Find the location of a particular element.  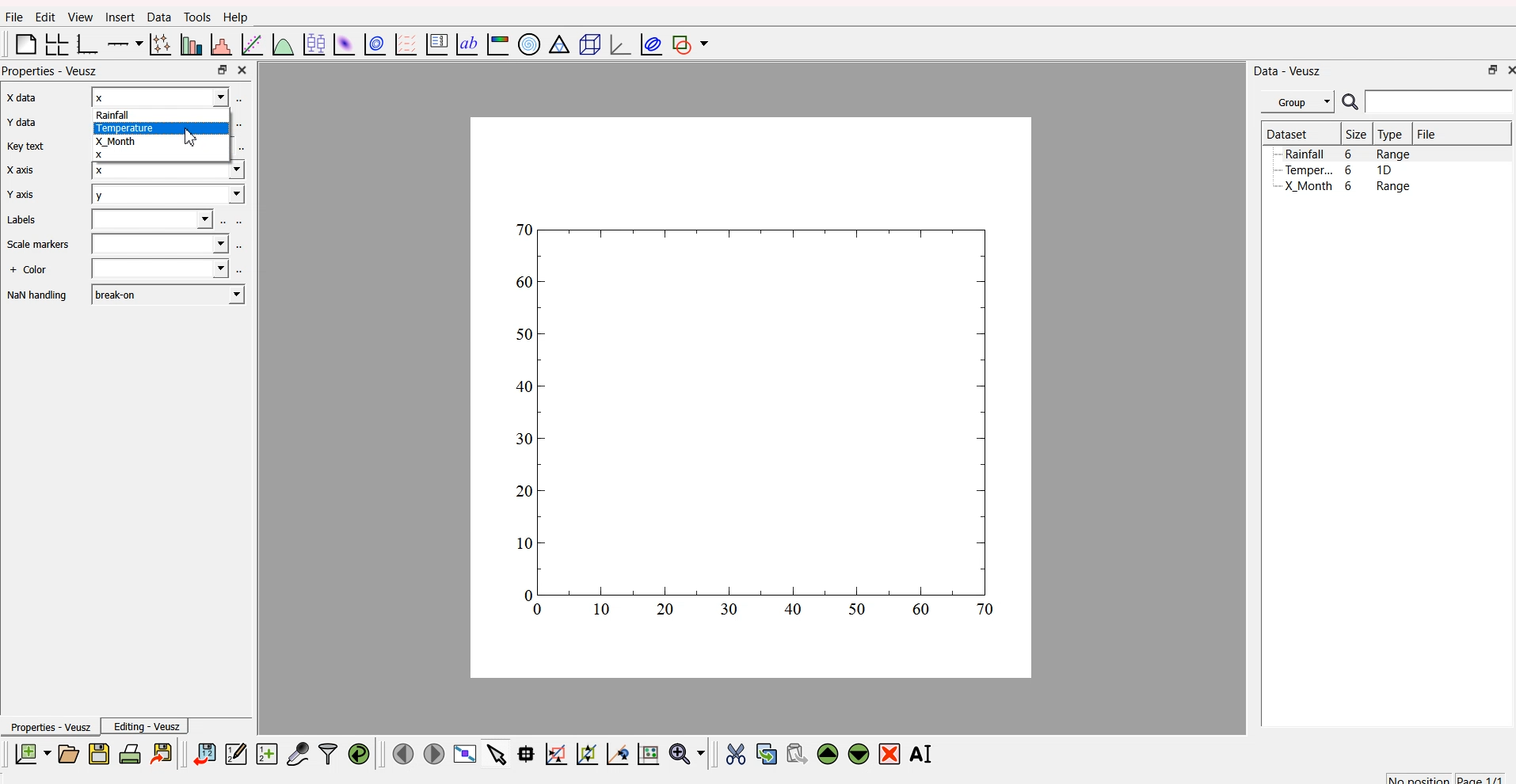

export to graphics format is located at coordinates (164, 752).